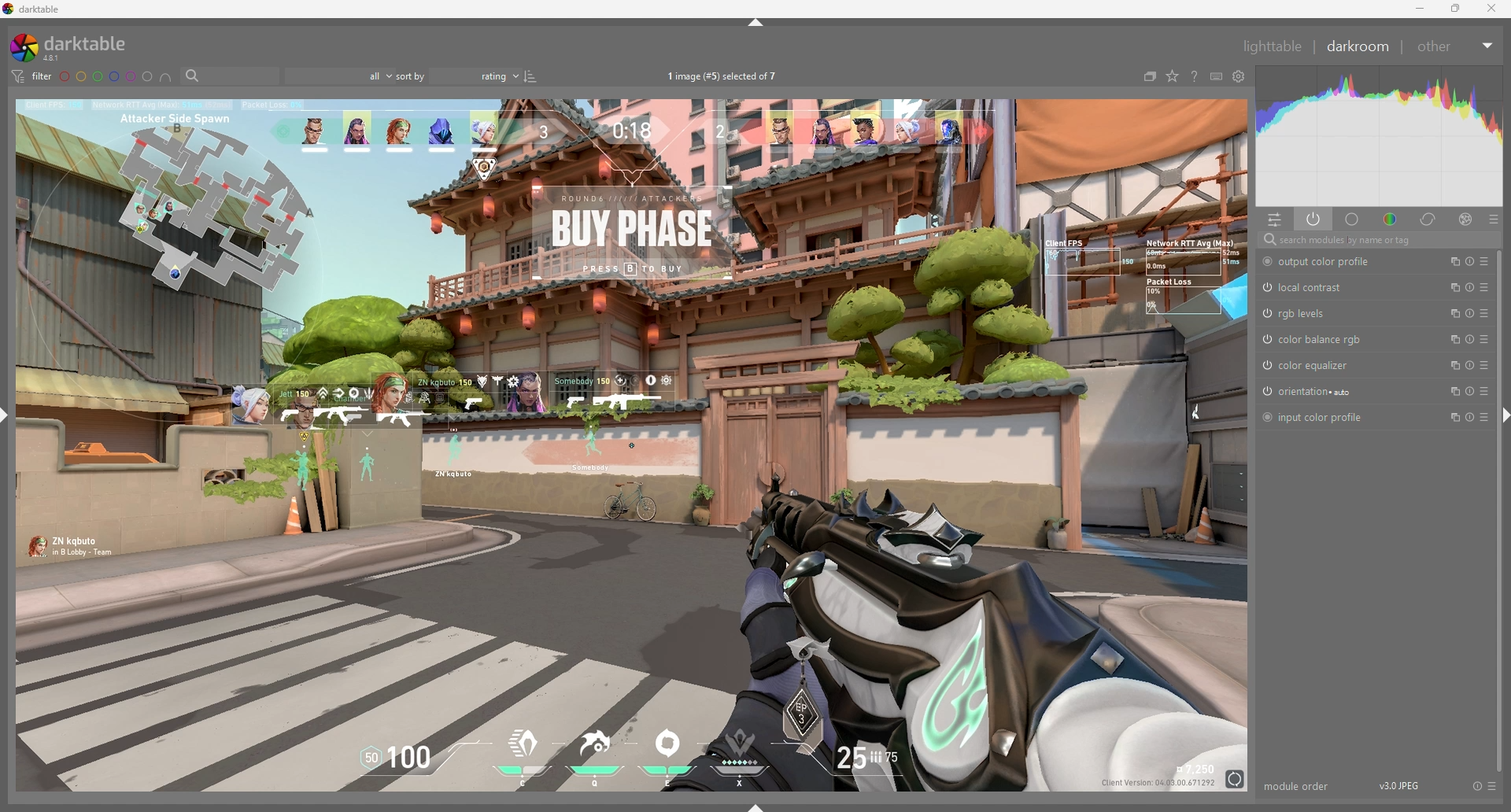  What do you see at coordinates (1457, 46) in the screenshot?
I see `other` at bounding box center [1457, 46].